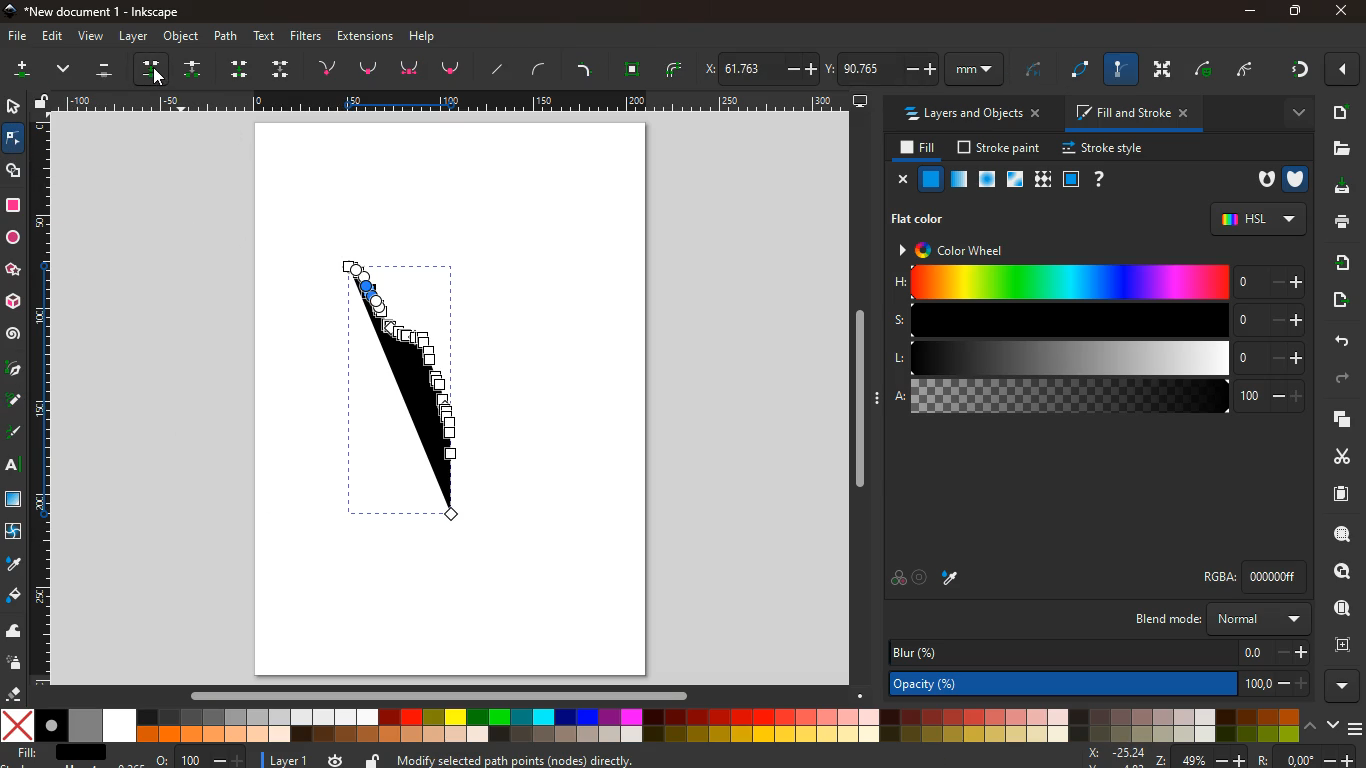  Describe the element at coordinates (443, 694) in the screenshot. I see `horizontal slider` at that location.